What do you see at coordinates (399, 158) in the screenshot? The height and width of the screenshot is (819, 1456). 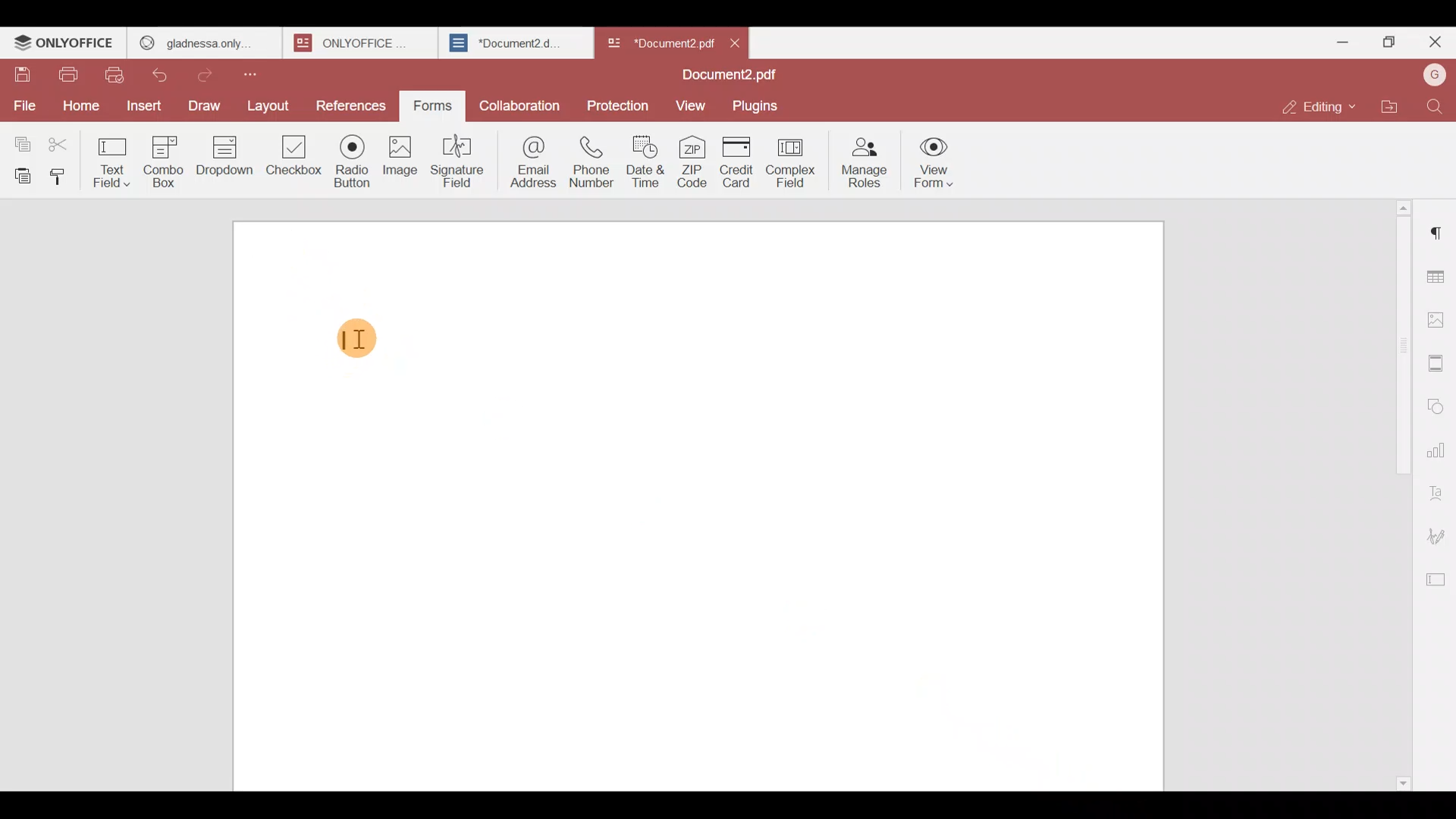 I see `Image` at bounding box center [399, 158].